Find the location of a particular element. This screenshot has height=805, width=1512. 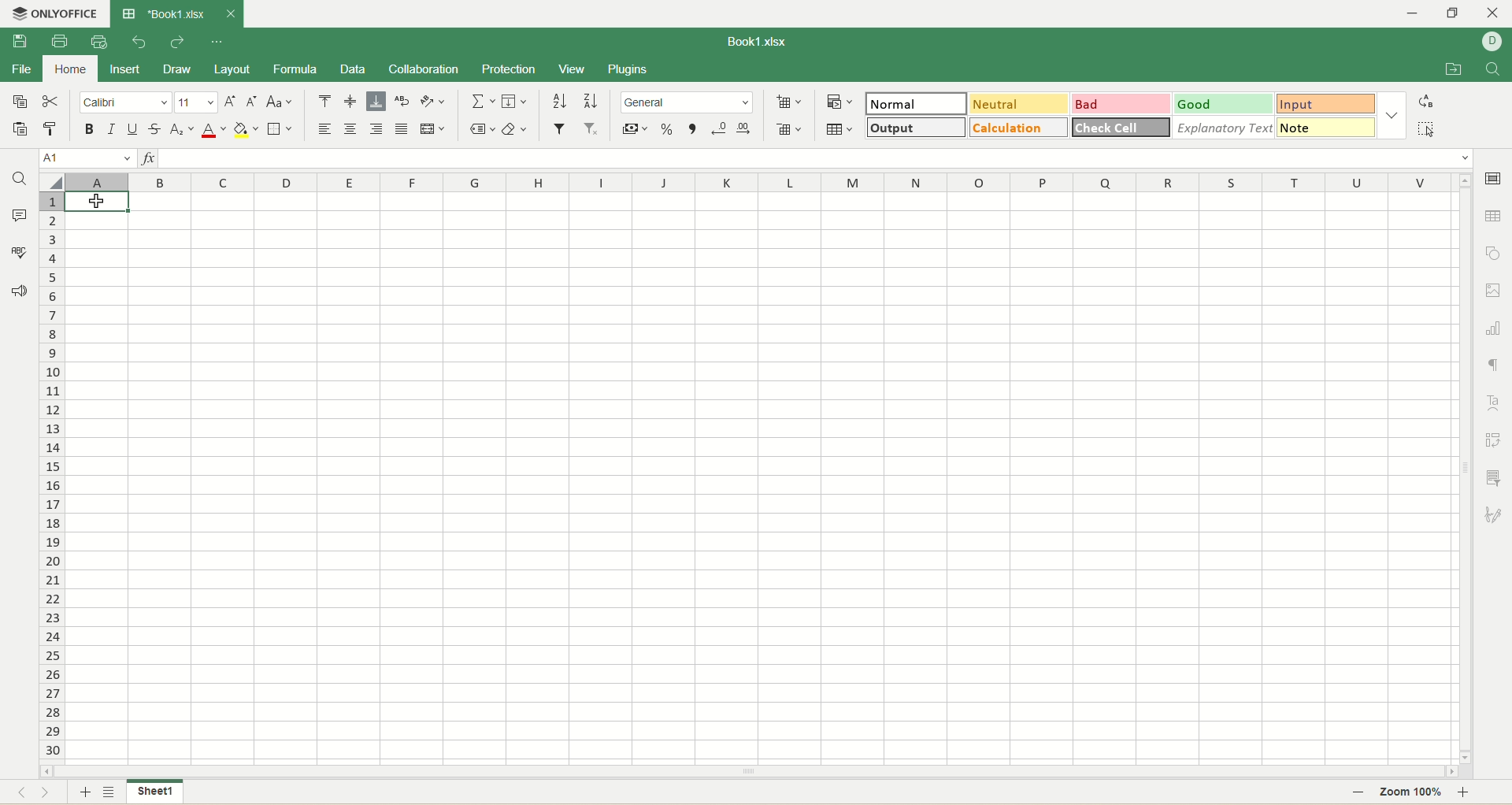

justified is located at coordinates (402, 130).